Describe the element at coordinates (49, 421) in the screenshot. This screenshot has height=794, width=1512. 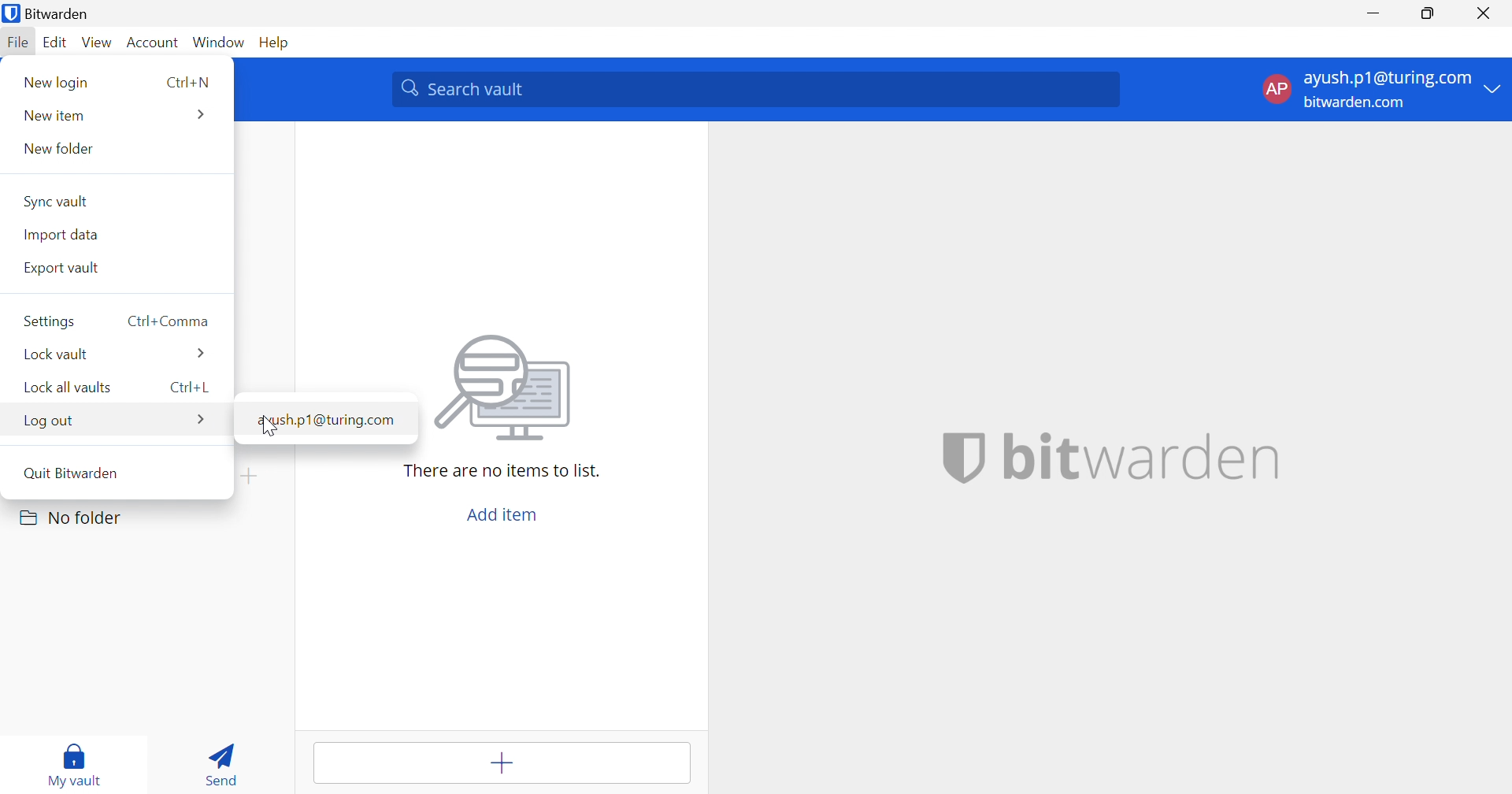
I see `Log out` at that location.